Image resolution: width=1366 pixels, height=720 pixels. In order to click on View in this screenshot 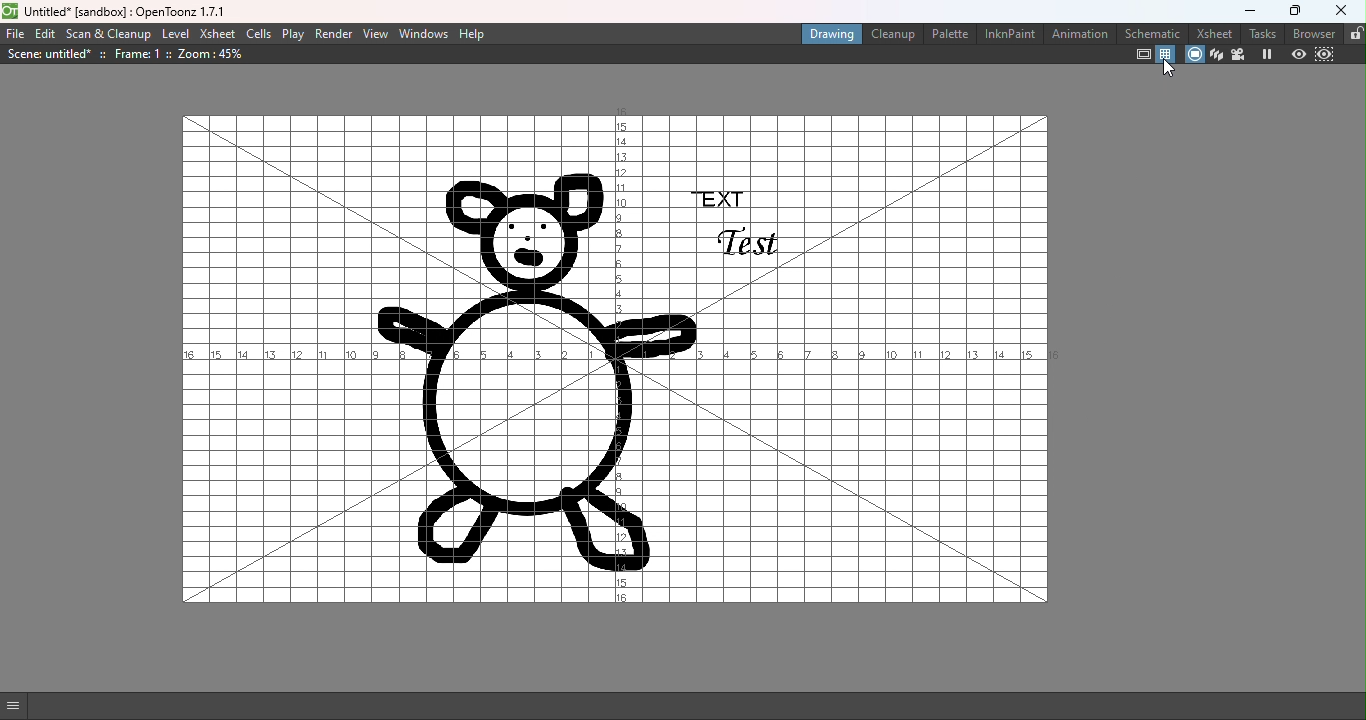, I will do `click(375, 33)`.